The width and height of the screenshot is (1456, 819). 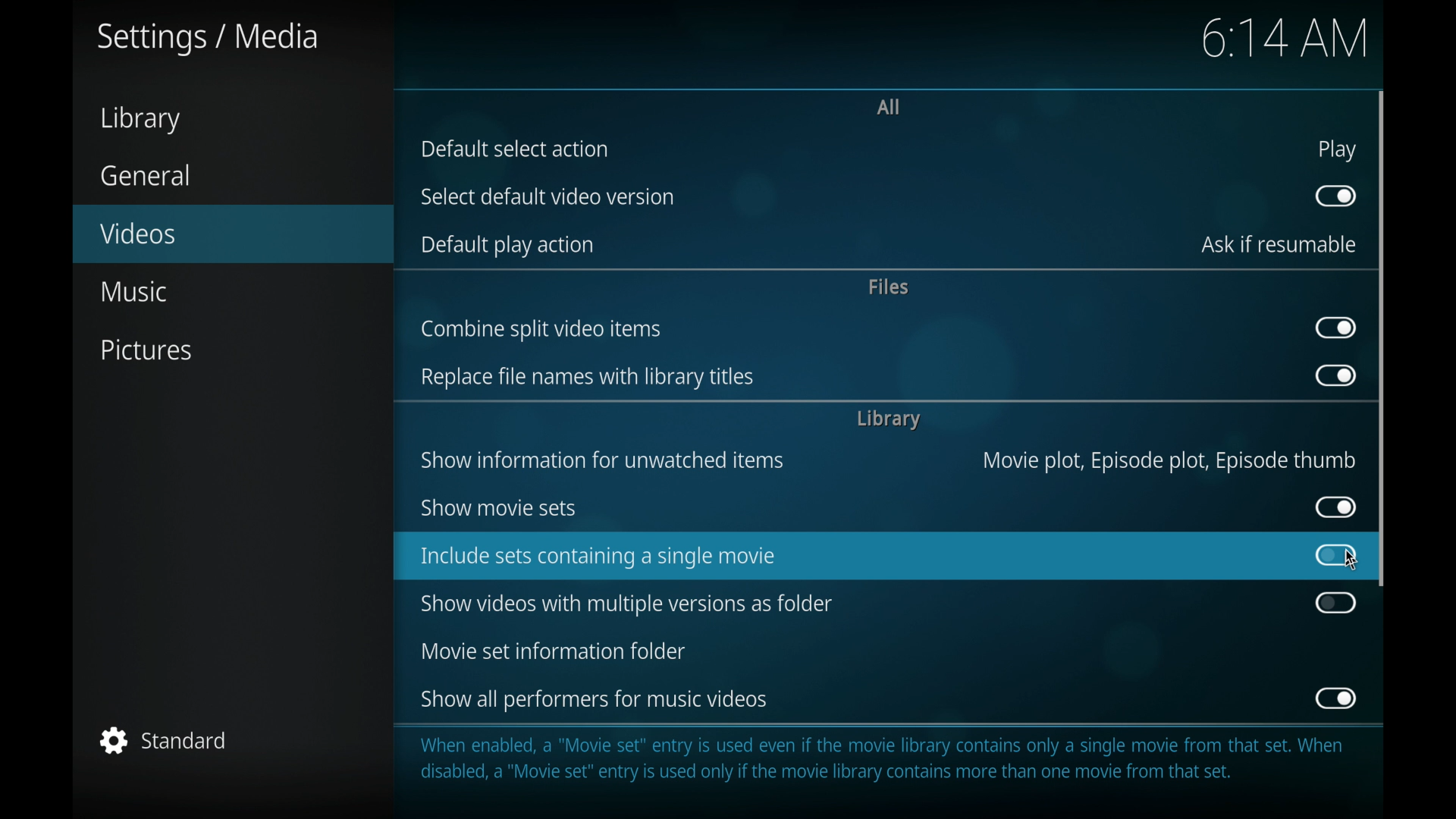 I want to click on standard, so click(x=165, y=740).